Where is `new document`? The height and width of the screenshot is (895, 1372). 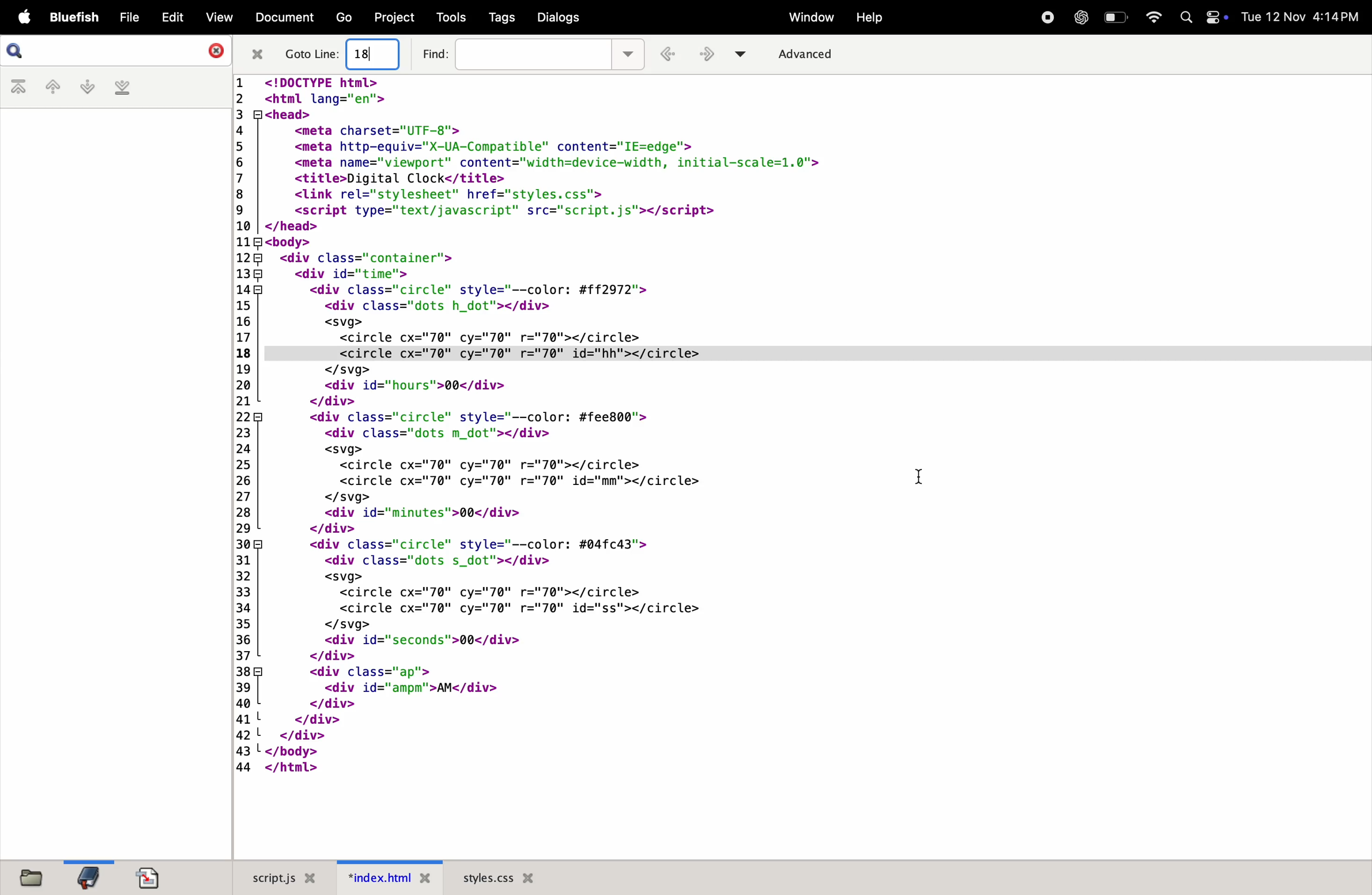 new document is located at coordinates (154, 877).